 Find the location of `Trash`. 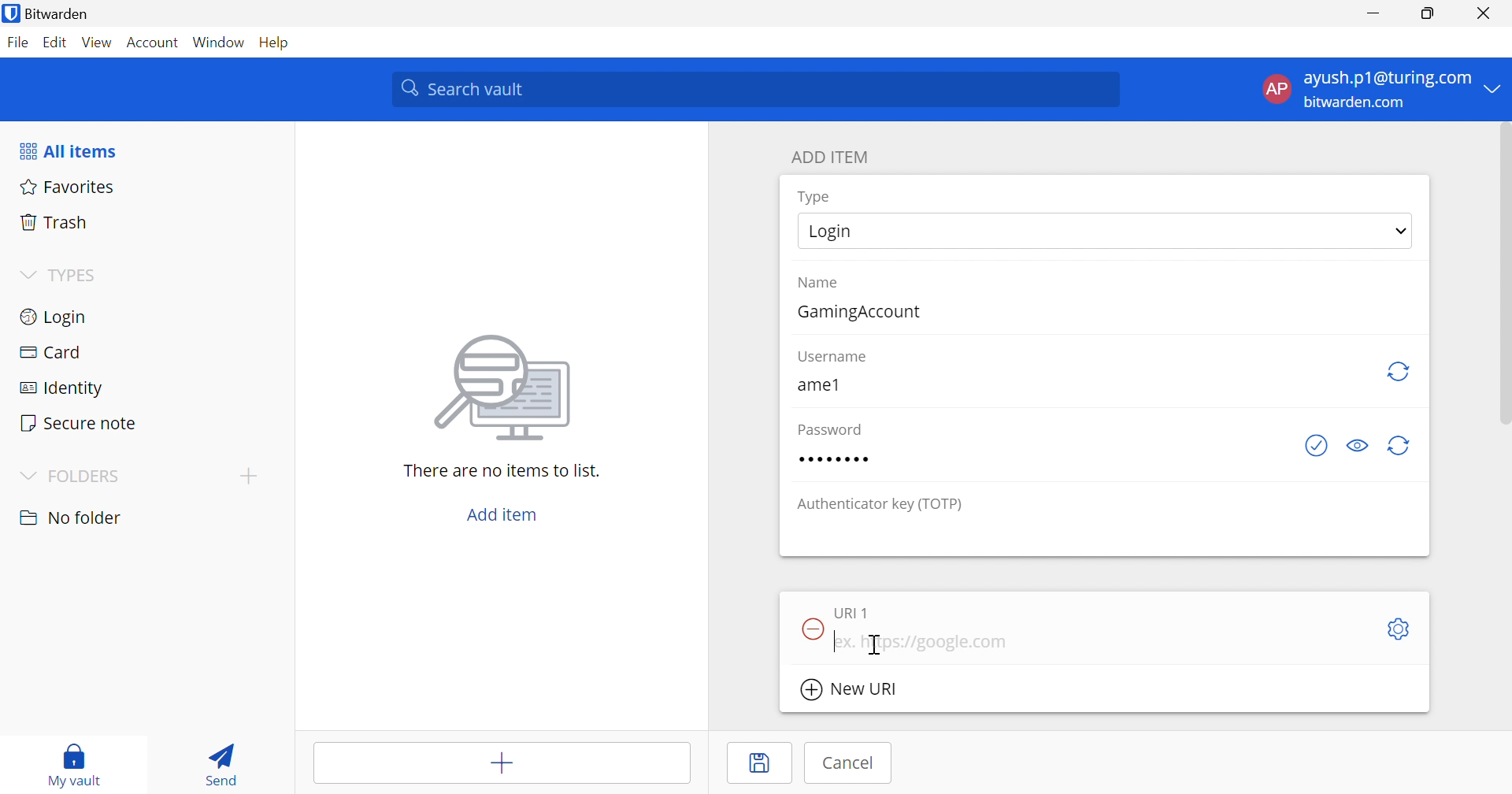

Trash is located at coordinates (59, 224).